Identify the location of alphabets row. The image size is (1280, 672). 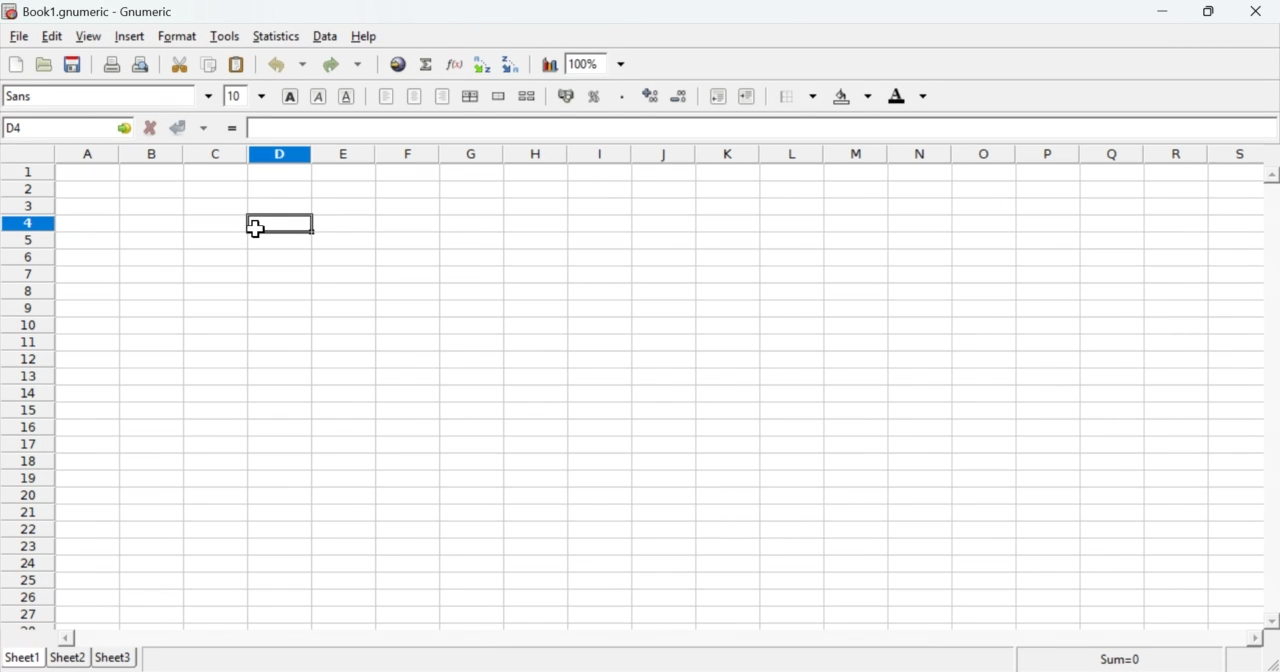
(655, 152).